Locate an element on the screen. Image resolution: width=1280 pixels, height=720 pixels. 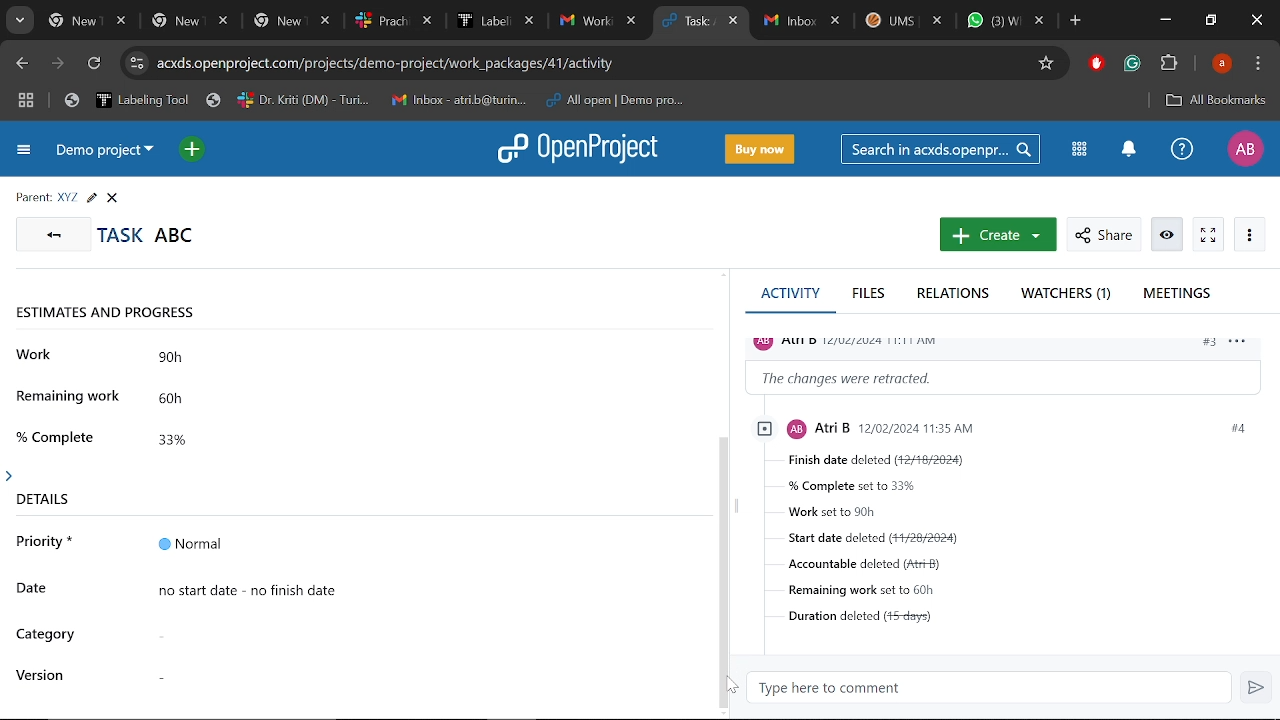
Current tab is located at coordinates (690, 22).